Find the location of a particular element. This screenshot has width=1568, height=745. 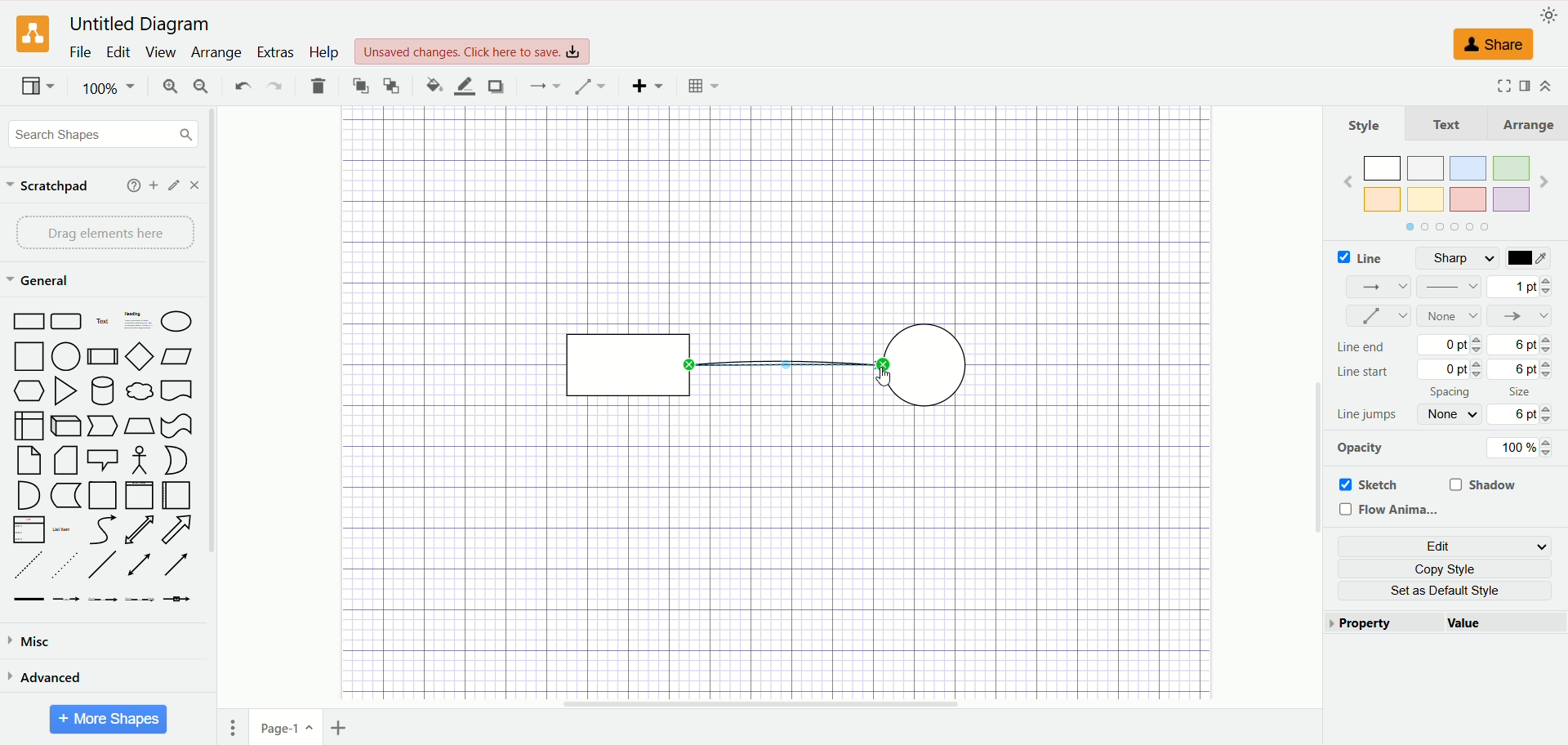

pages is located at coordinates (234, 728).